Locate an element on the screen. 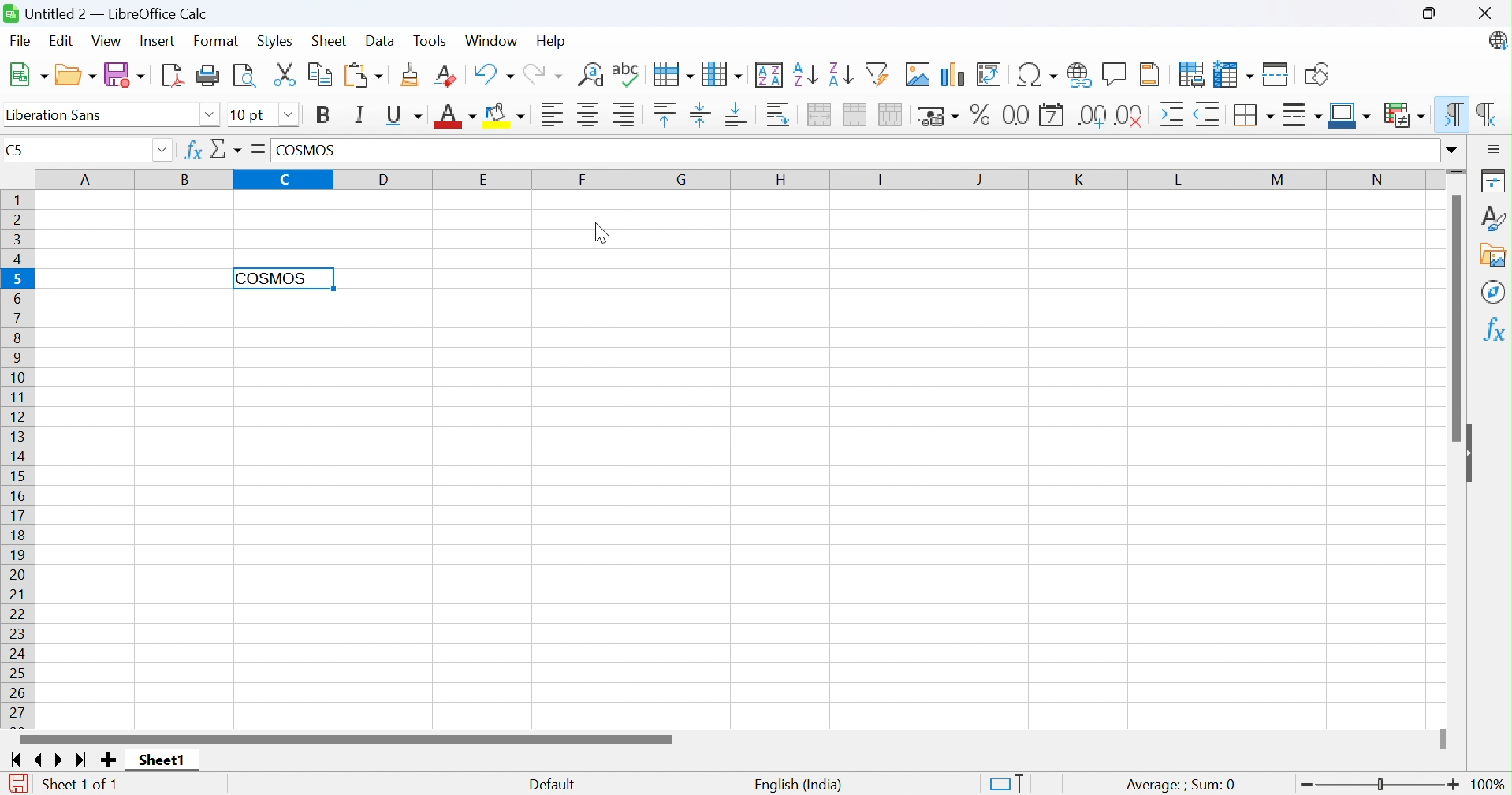 The width and height of the screenshot is (1512, 795). Font name is located at coordinates (100, 117).